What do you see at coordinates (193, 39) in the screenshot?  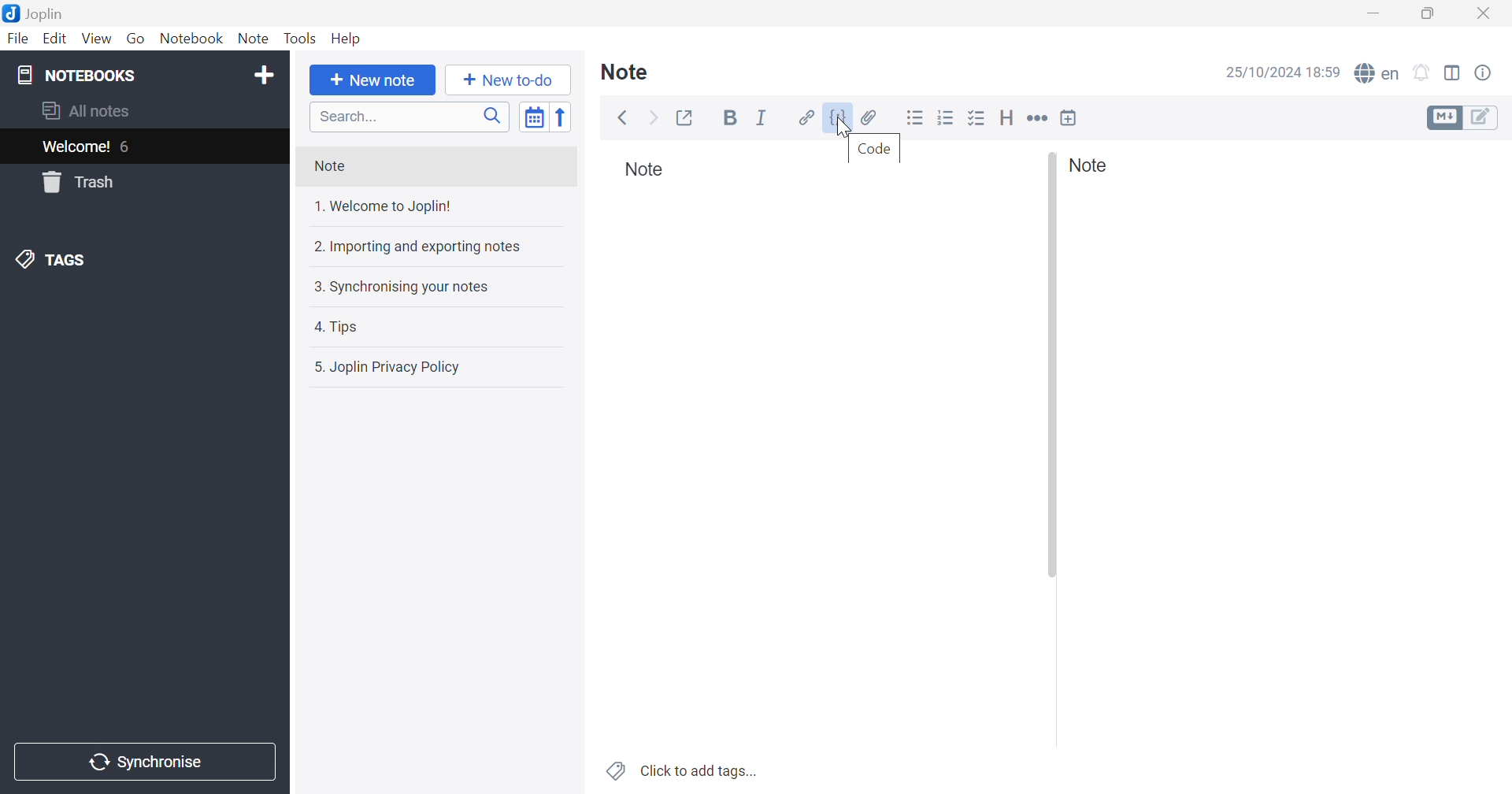 I see `Notebook` at bounding box center [193, 39].